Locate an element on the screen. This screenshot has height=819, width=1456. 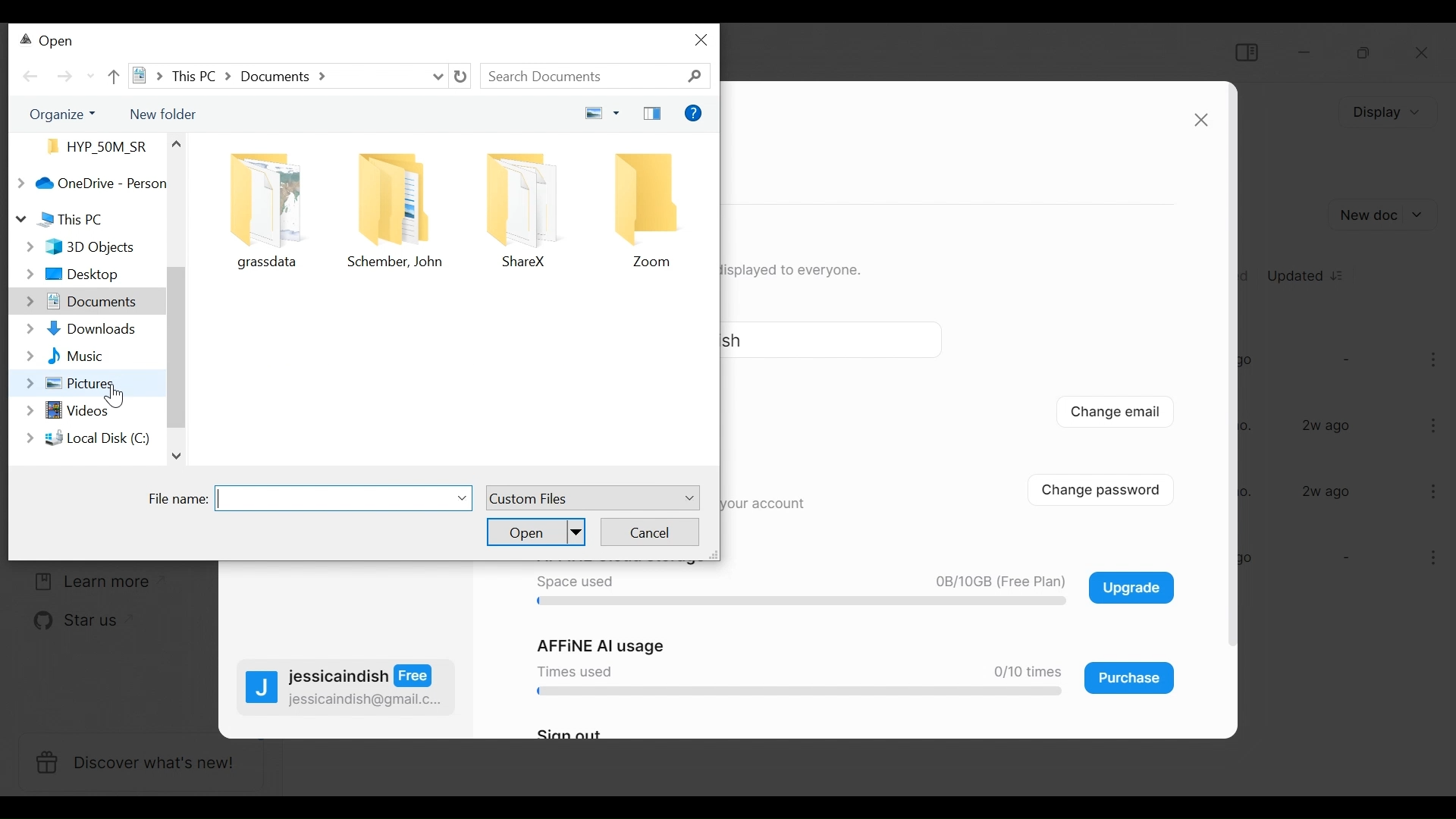
Discover what's new is located at coordinates (140, 764).